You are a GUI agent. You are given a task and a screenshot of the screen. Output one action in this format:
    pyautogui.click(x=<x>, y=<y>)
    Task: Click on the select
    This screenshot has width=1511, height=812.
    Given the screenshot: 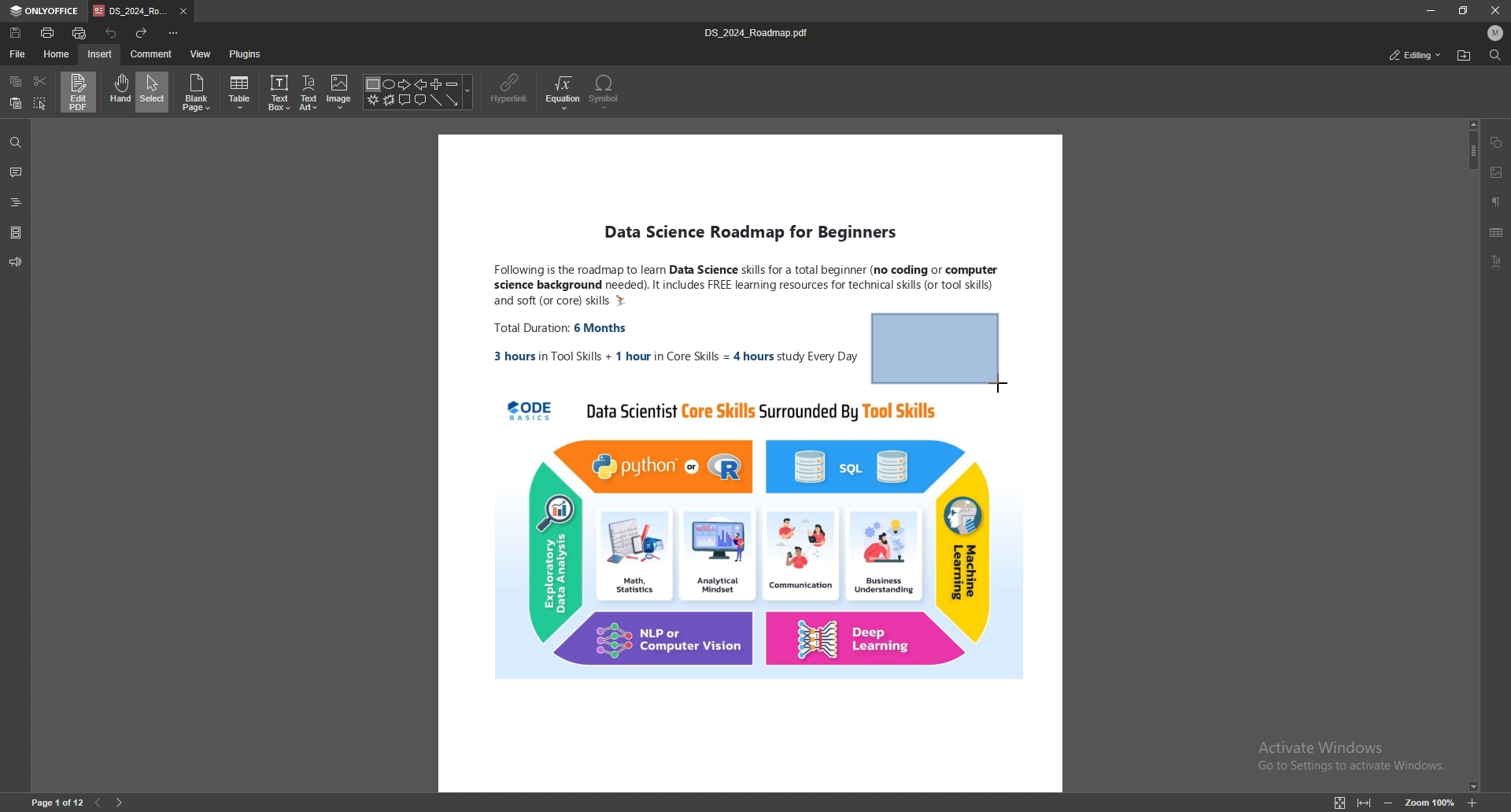 What is the action you would take?
    pyautogui.click(x=153, y=91)
    